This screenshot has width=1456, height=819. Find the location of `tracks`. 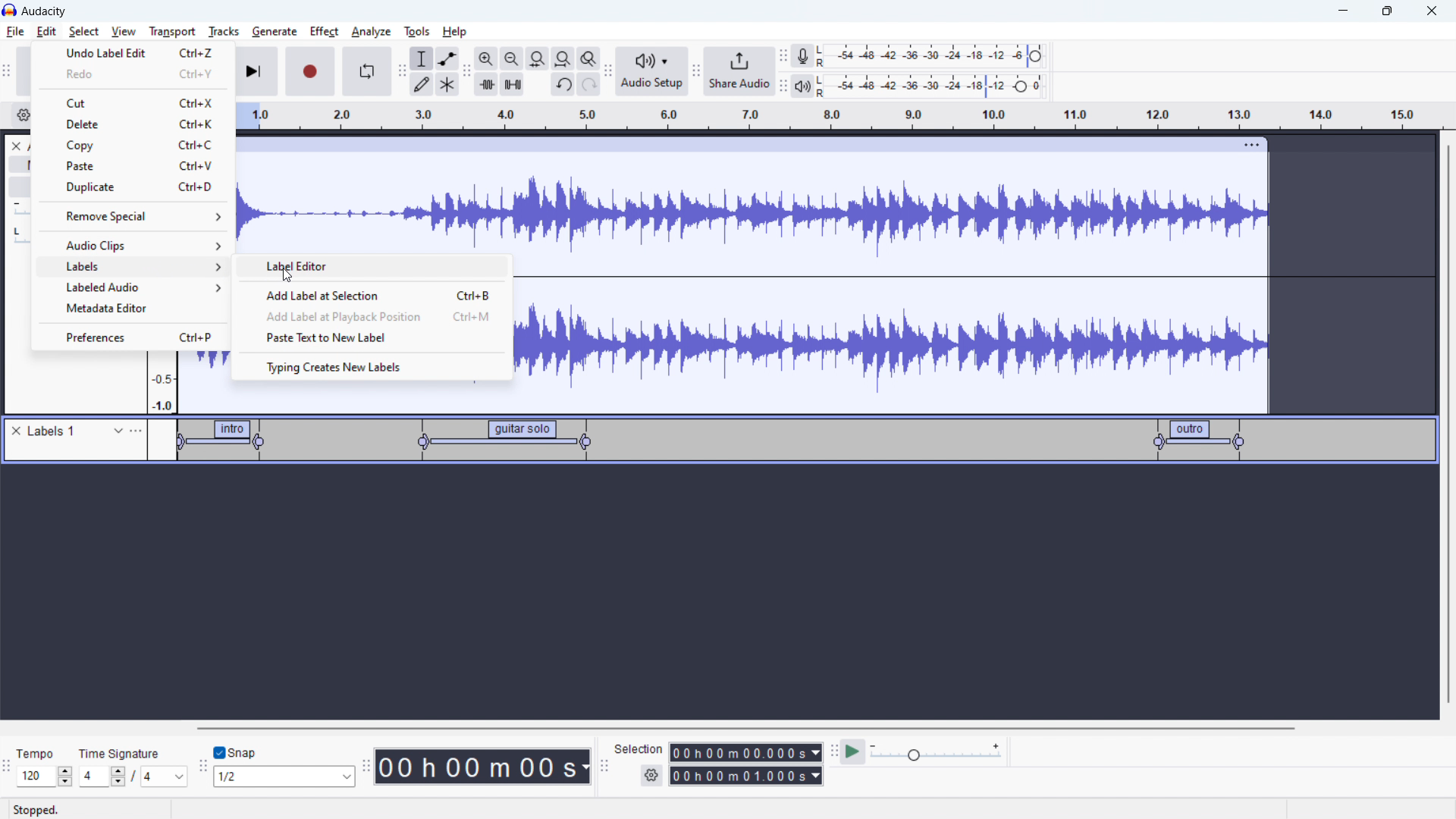

tracks is located at coordinates (223, 31).